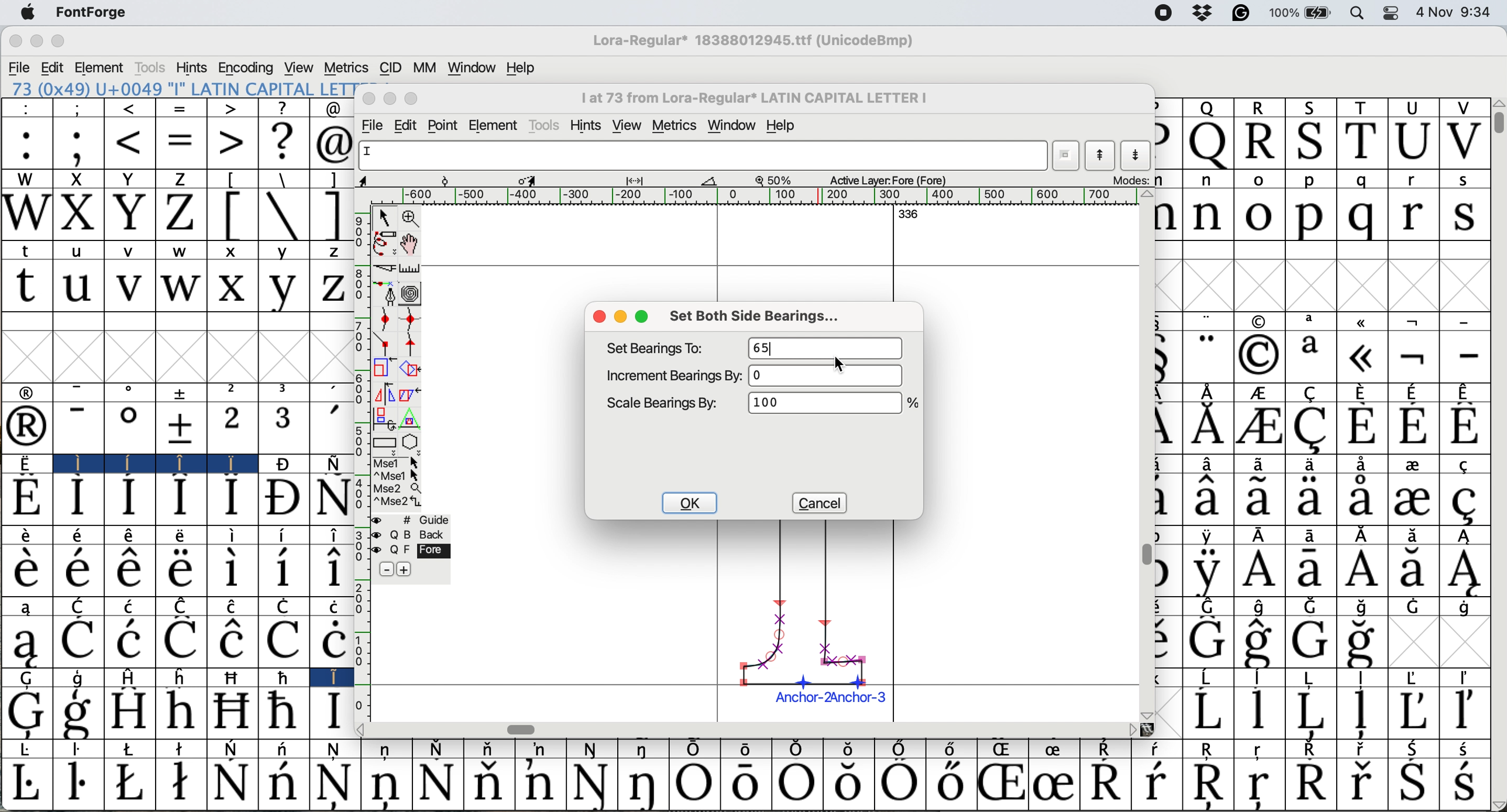 The width and height of the screenshot is (1507, 812). What do you see at coordinates (423, 67) in the screenshot?
I see `mm` at bounding box center [423, 67].